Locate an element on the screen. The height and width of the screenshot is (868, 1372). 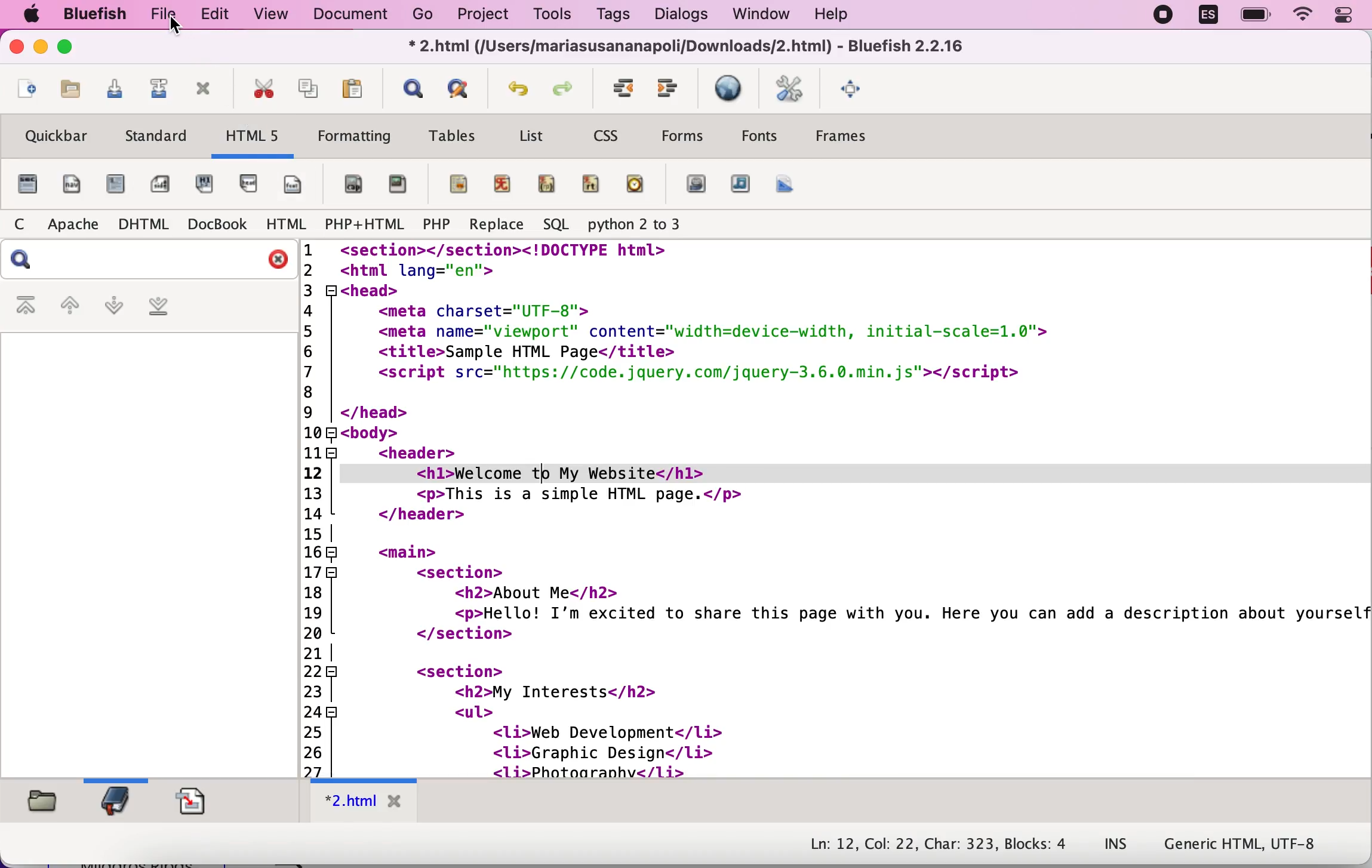
view is located at coordinates (265, 15).